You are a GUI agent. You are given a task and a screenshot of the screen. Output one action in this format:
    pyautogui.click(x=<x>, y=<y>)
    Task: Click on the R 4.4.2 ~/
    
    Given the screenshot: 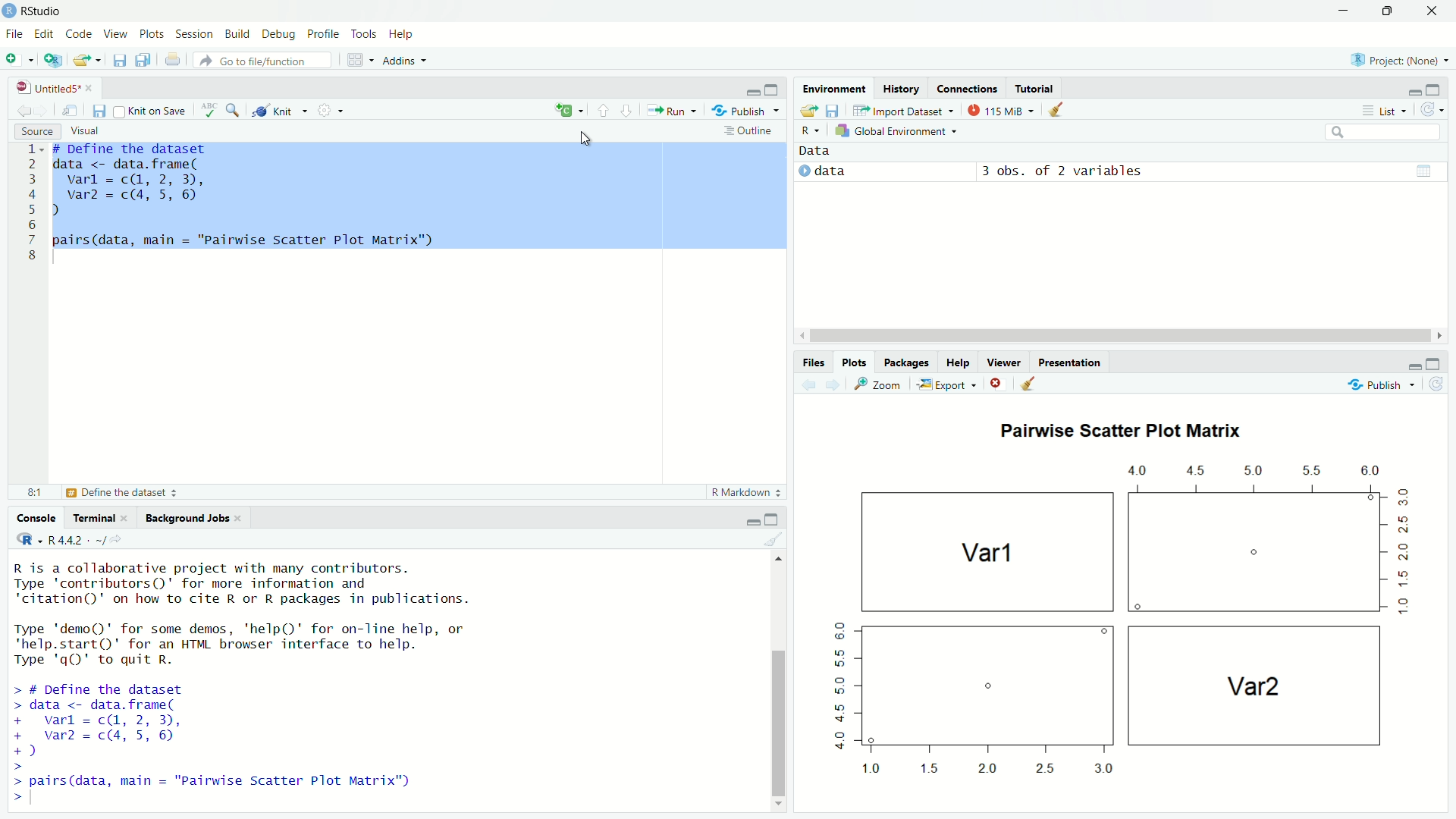 What is the action you would take?
    pyautogui.click(x=76, y=538)
    